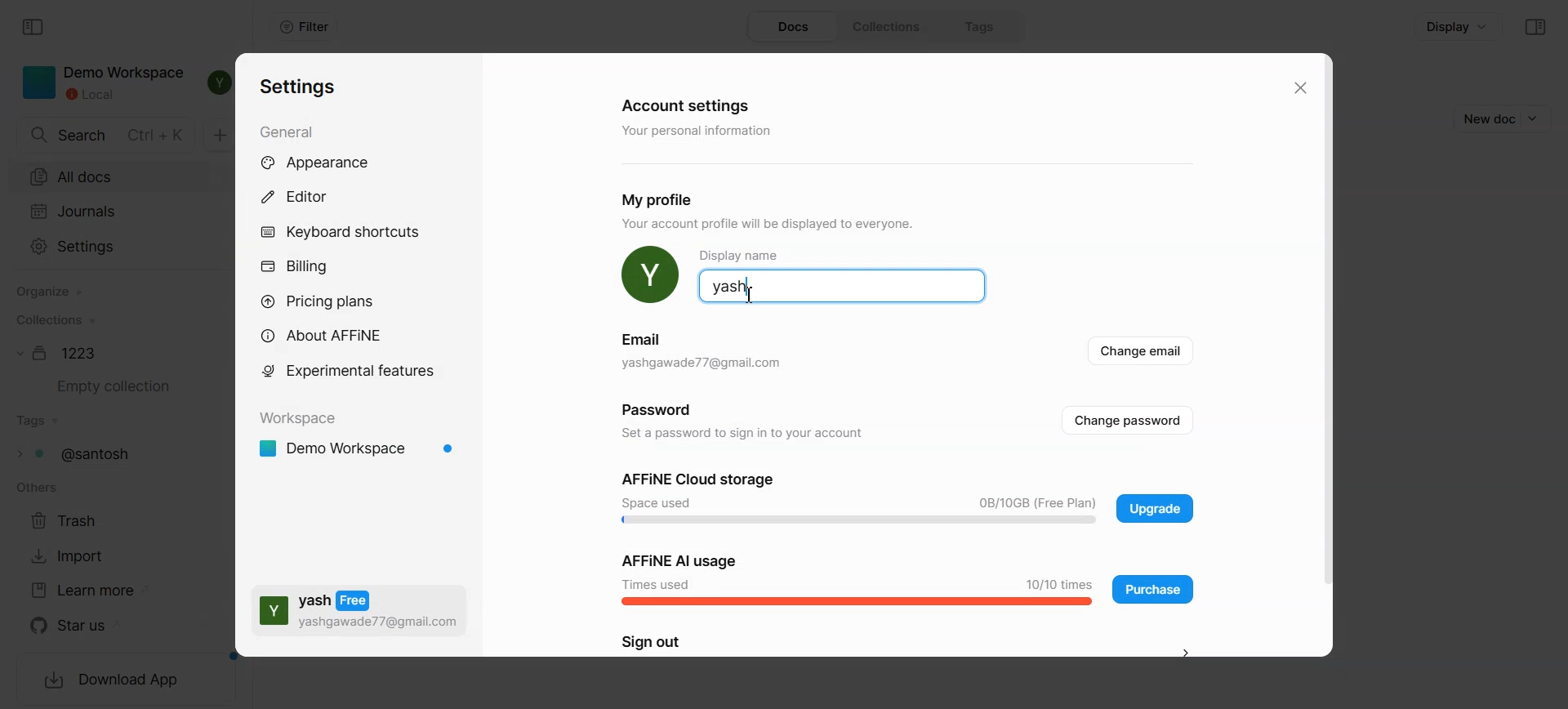  Describe the element at coordinates (108, 247) in the screenshot. I see `Settings` at that location.